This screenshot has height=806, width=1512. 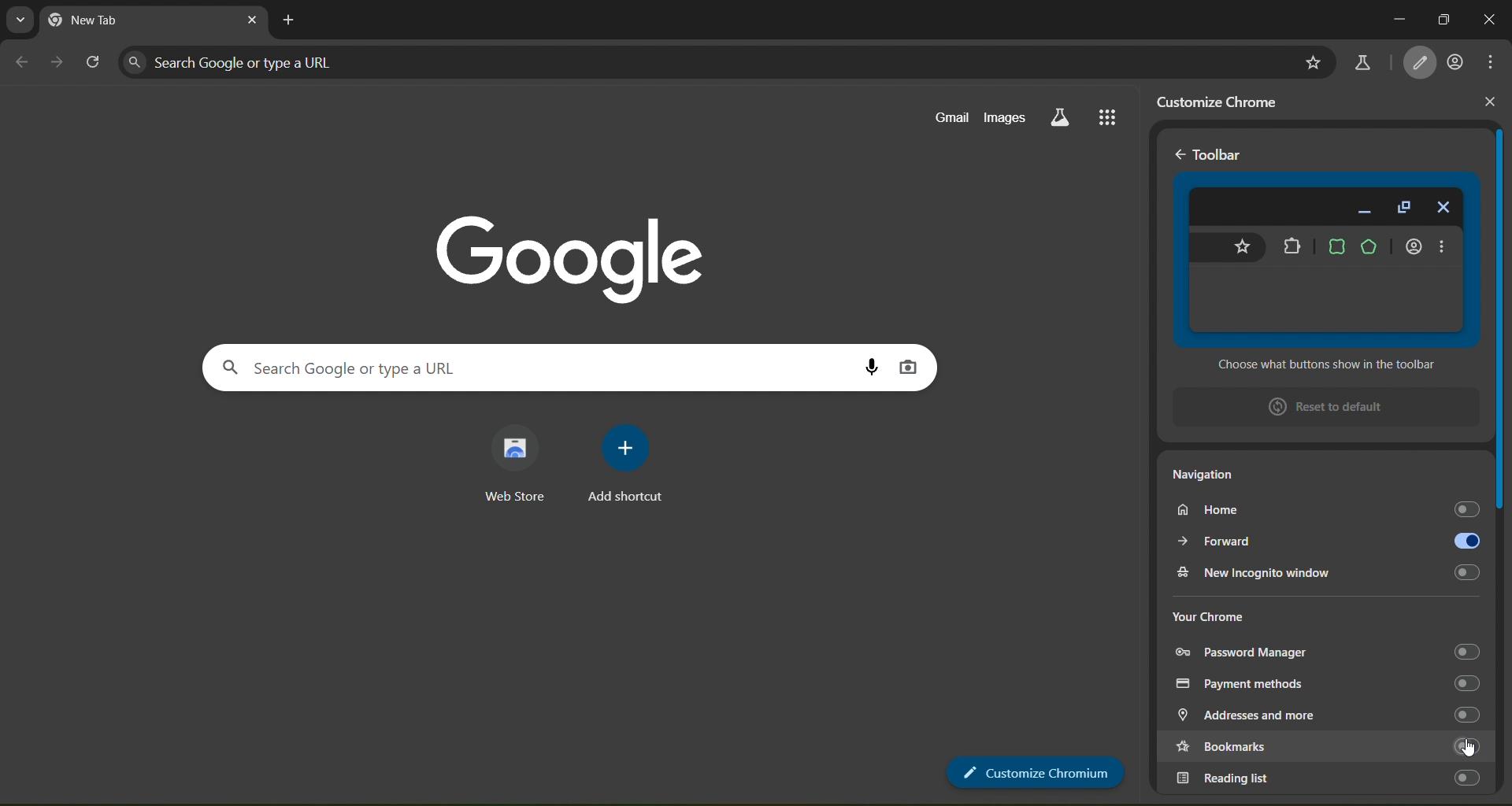 I want to click on image search, so click(x=912, y=369).